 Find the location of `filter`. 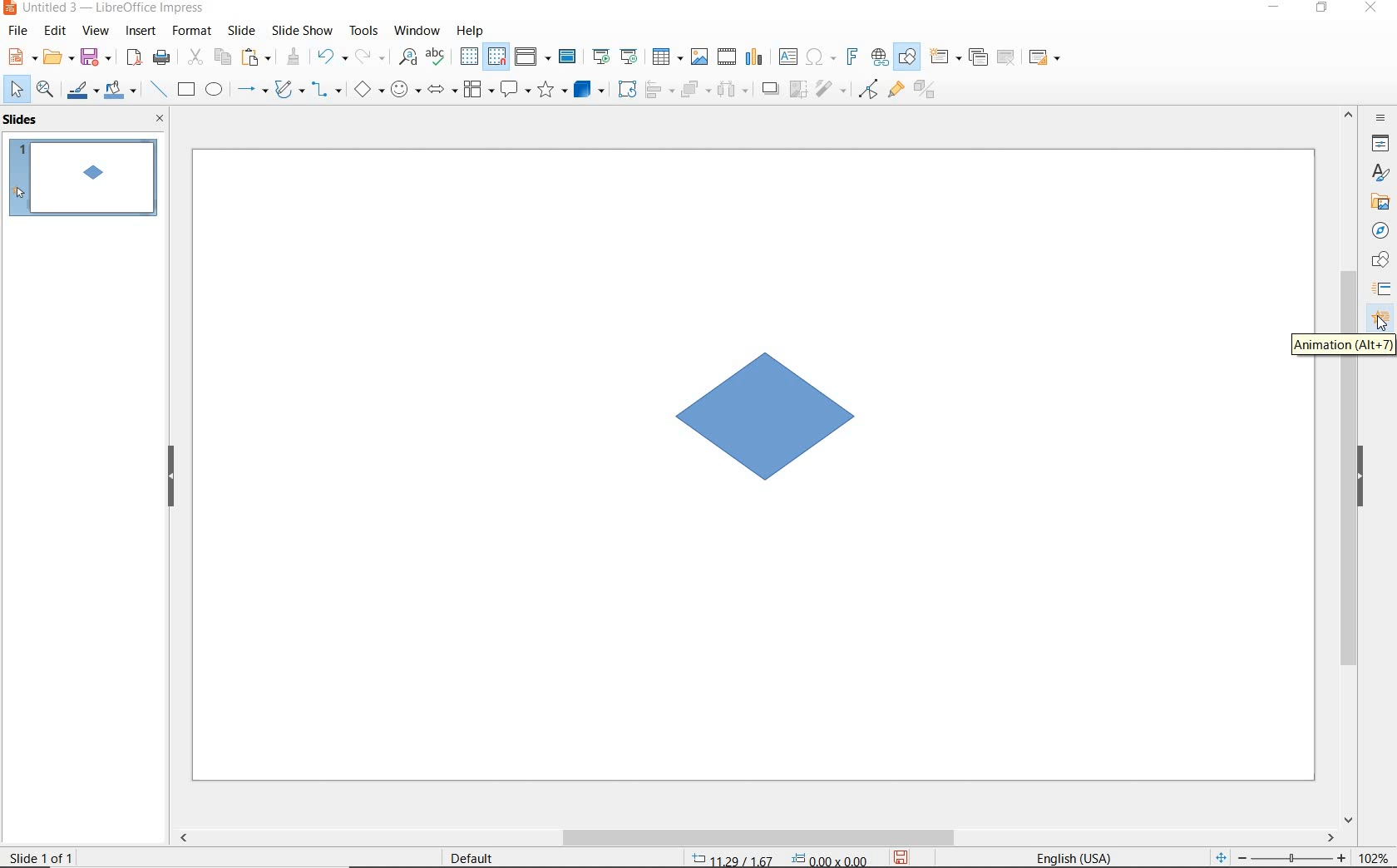

filter is located at coordinates (830, 91).